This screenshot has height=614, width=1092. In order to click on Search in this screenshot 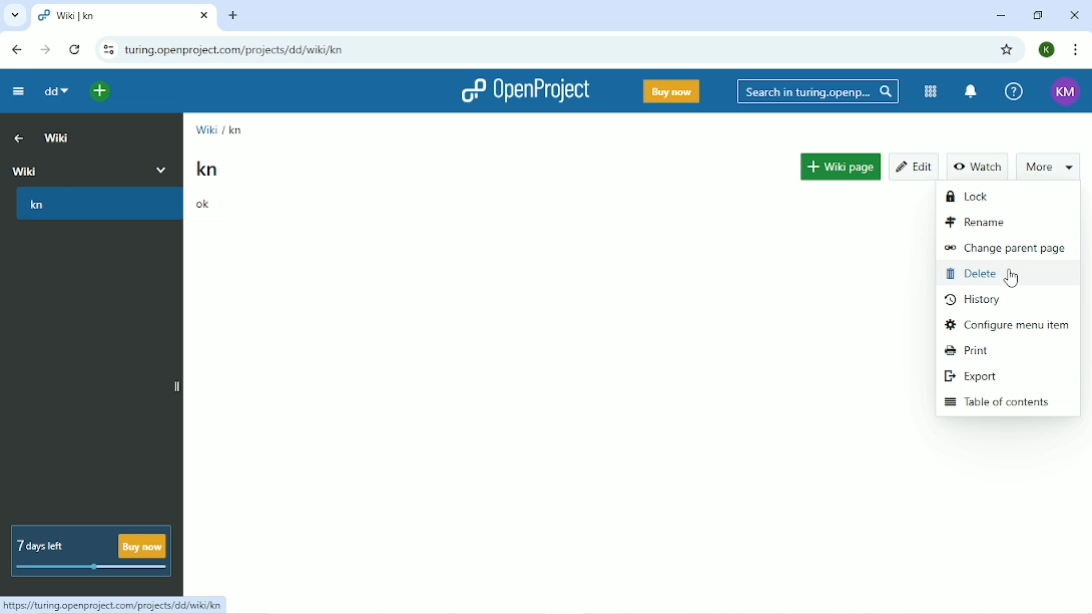, I will do `click(818, 92)`.